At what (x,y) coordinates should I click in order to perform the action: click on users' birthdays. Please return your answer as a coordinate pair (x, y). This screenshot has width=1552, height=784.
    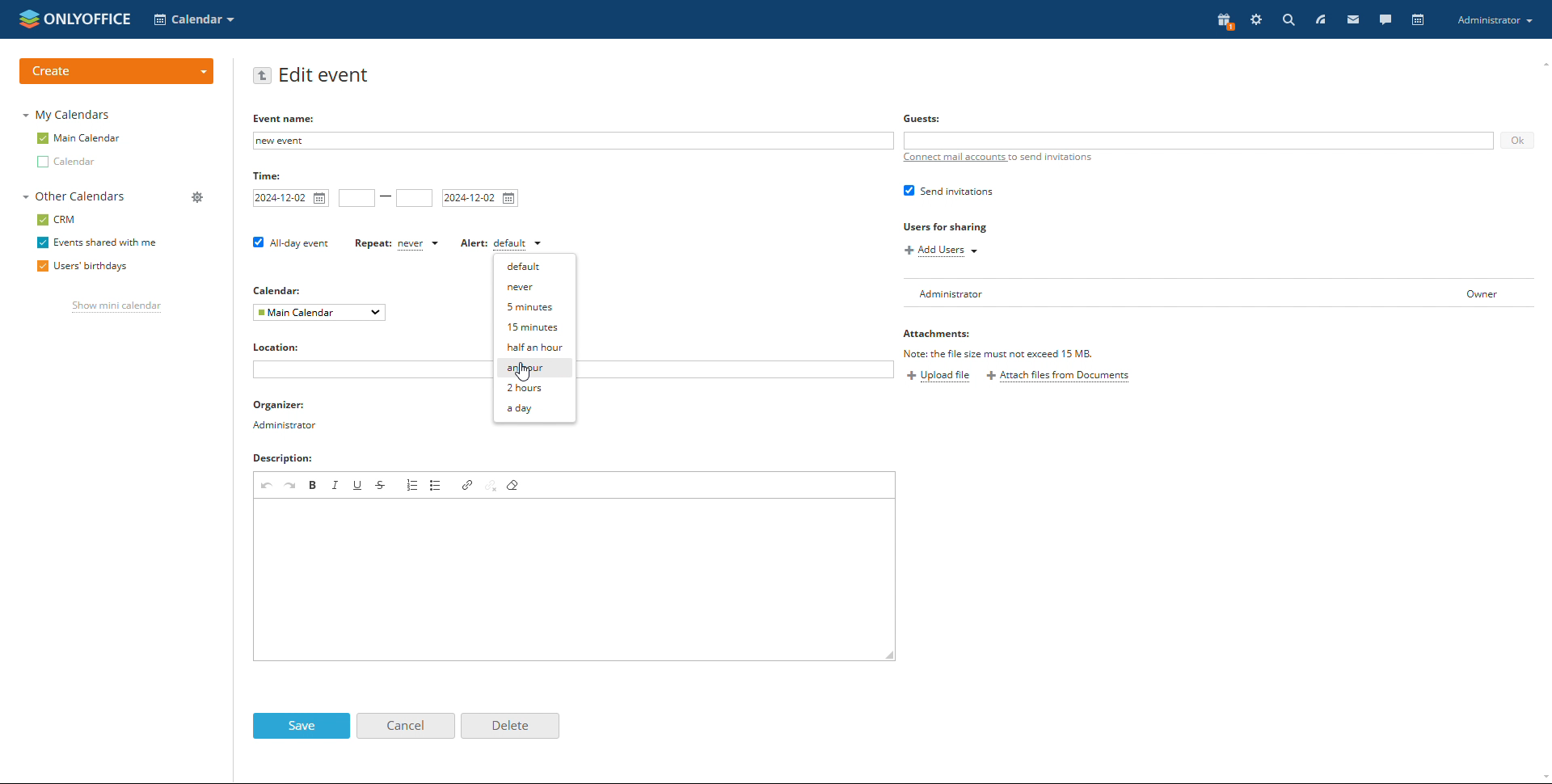
    Looking at the image, I should click on (82, 266).